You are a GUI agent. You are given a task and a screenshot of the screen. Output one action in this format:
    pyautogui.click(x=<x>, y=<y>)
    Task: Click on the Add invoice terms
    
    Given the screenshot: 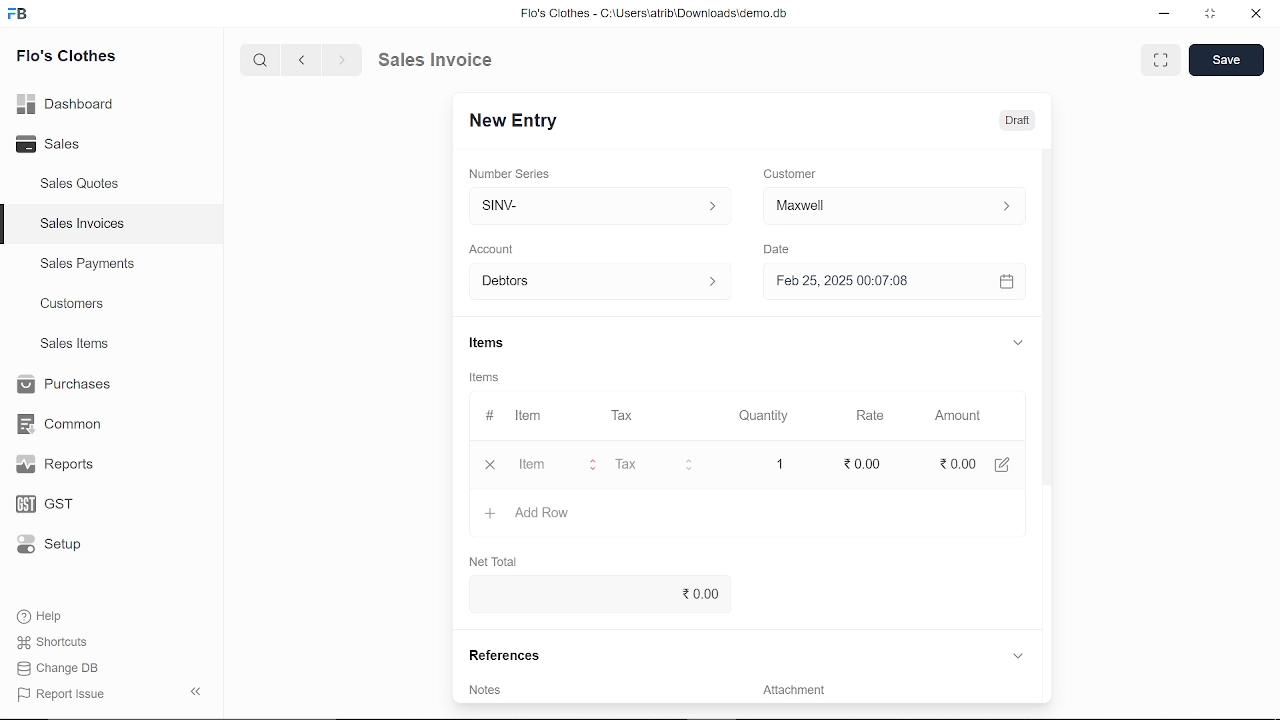 What is the action you would take?
    pyautogui.click(x=593, y=694)
    